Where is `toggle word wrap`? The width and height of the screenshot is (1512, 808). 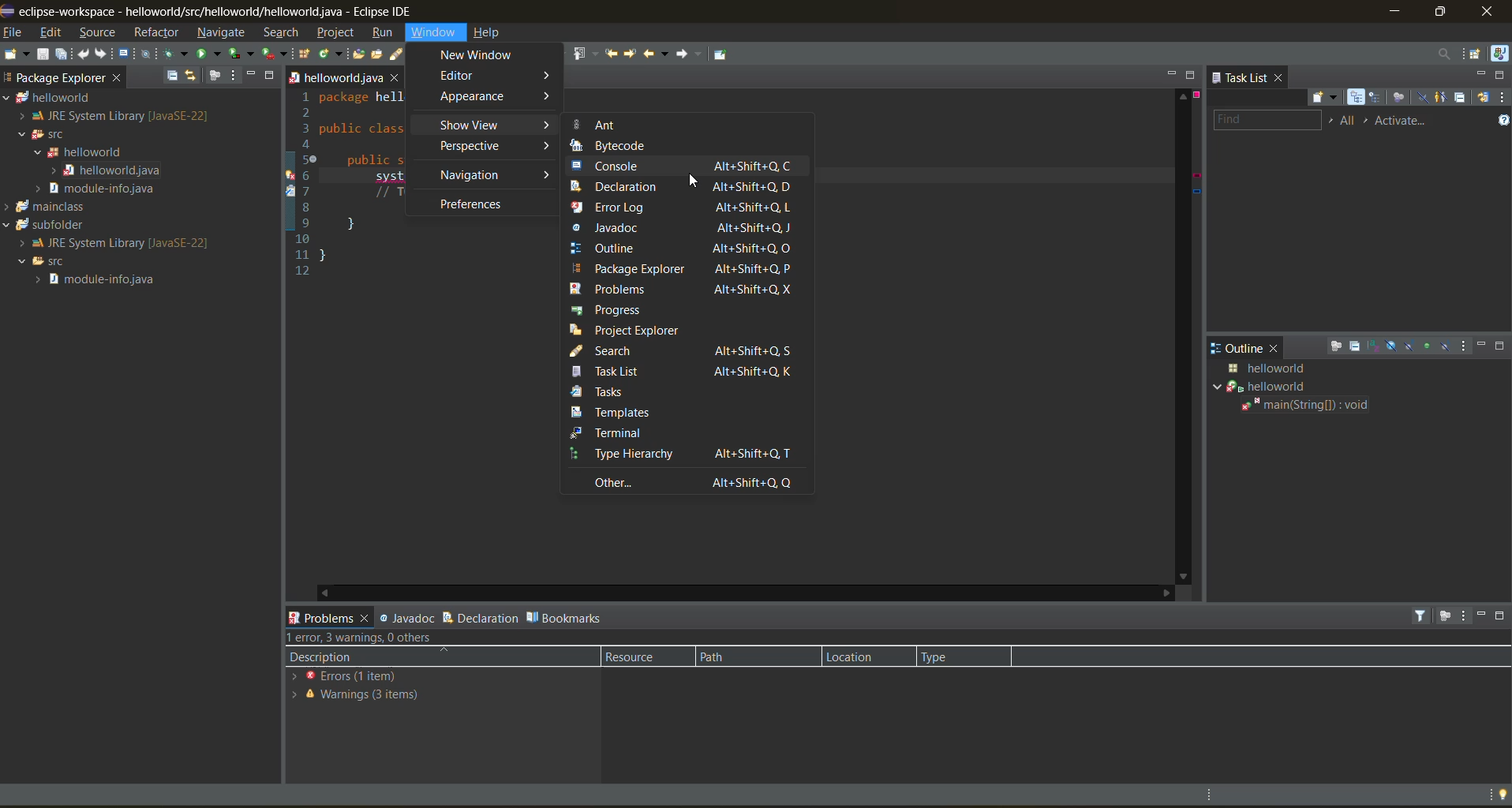
toggle word wrap is located at coordinates (485, 54).